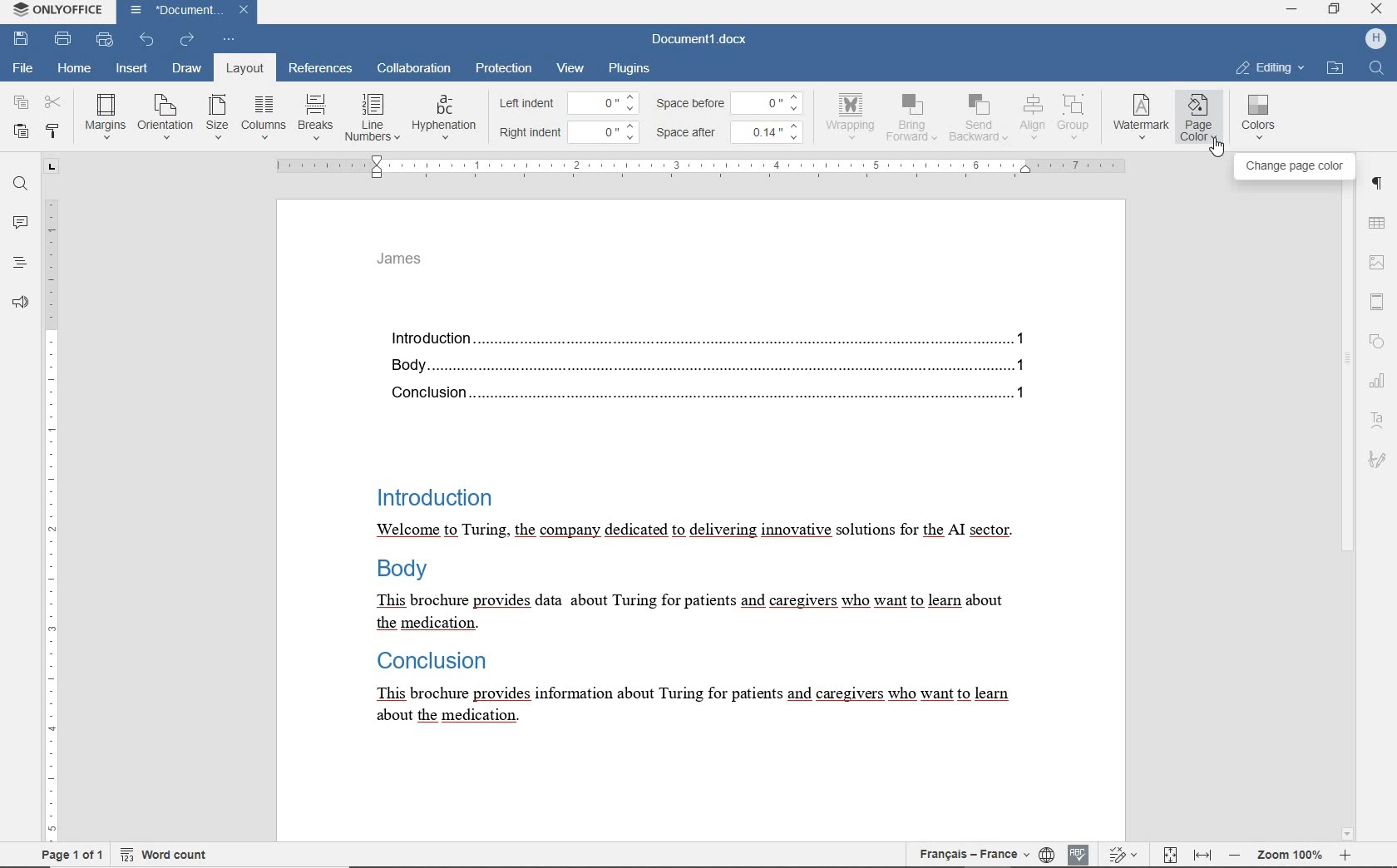 The image size is (1397, 868). What do you see at coordinates (18, 303) in the screenshot?
I see `feedback & support` at bounding box center [18, 303].